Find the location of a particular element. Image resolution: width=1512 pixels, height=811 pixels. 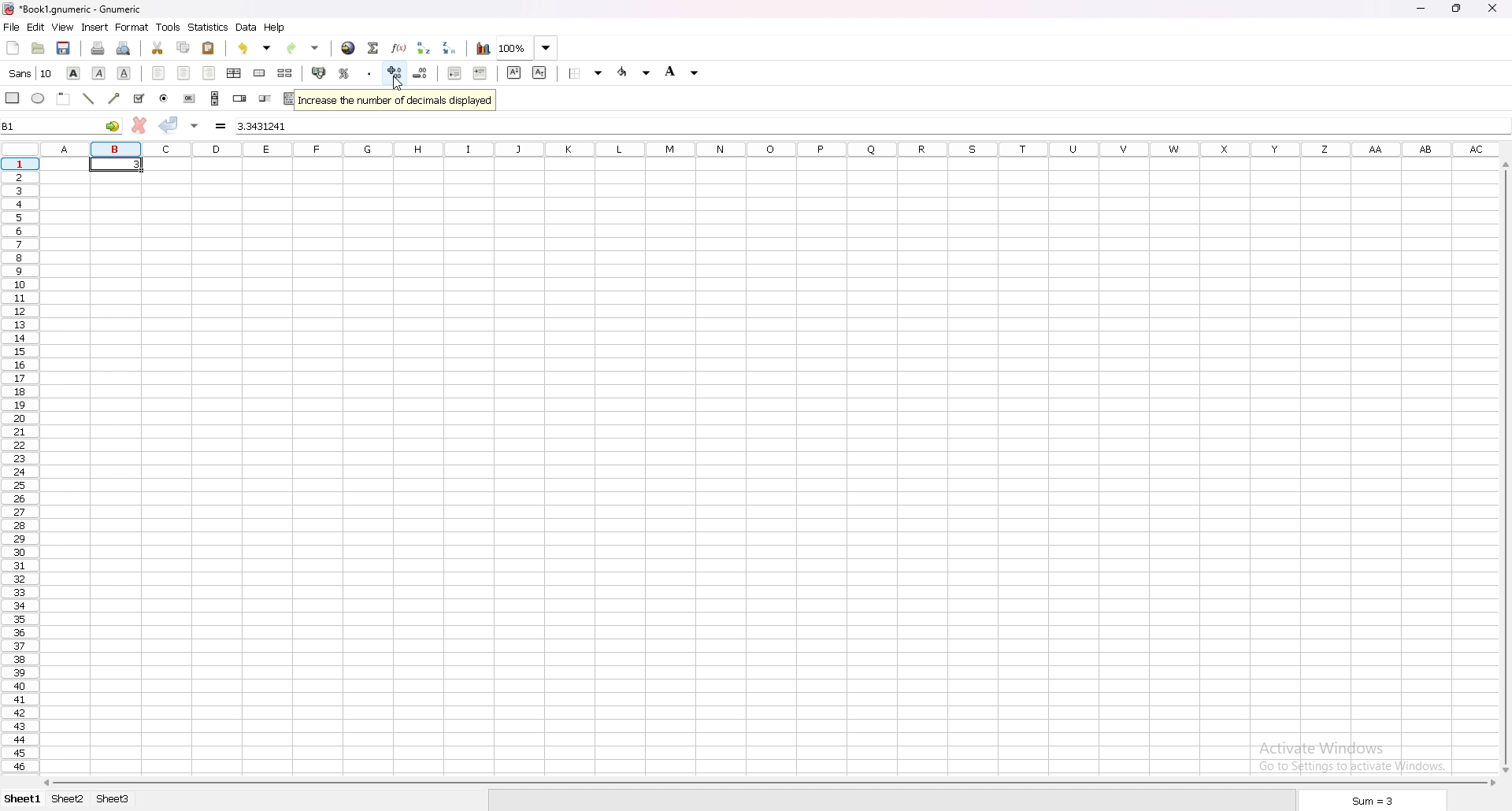

new is located at coordinates (13, 46).